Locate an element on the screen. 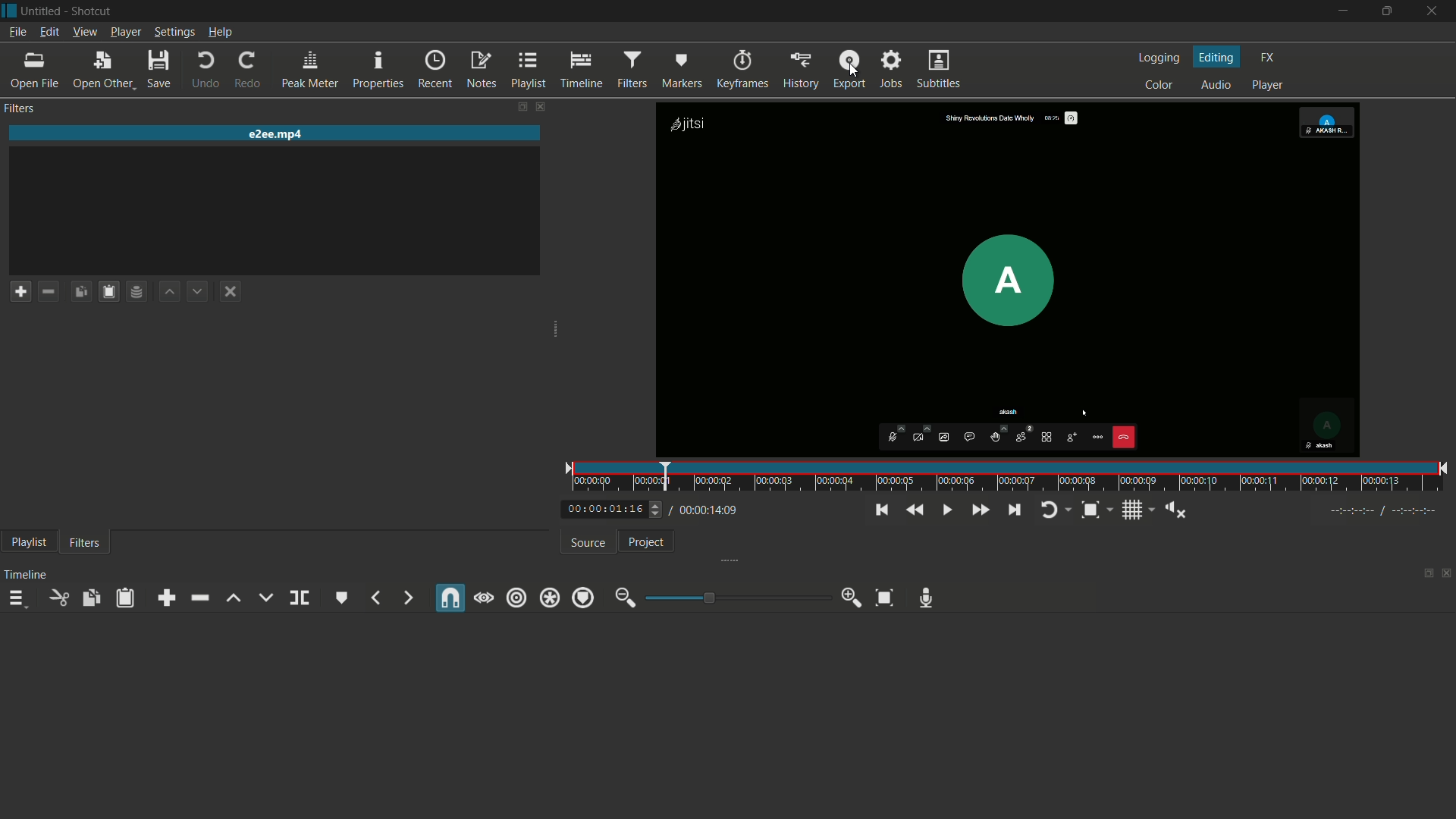  show volume control is located at coordinates (1175, 510).